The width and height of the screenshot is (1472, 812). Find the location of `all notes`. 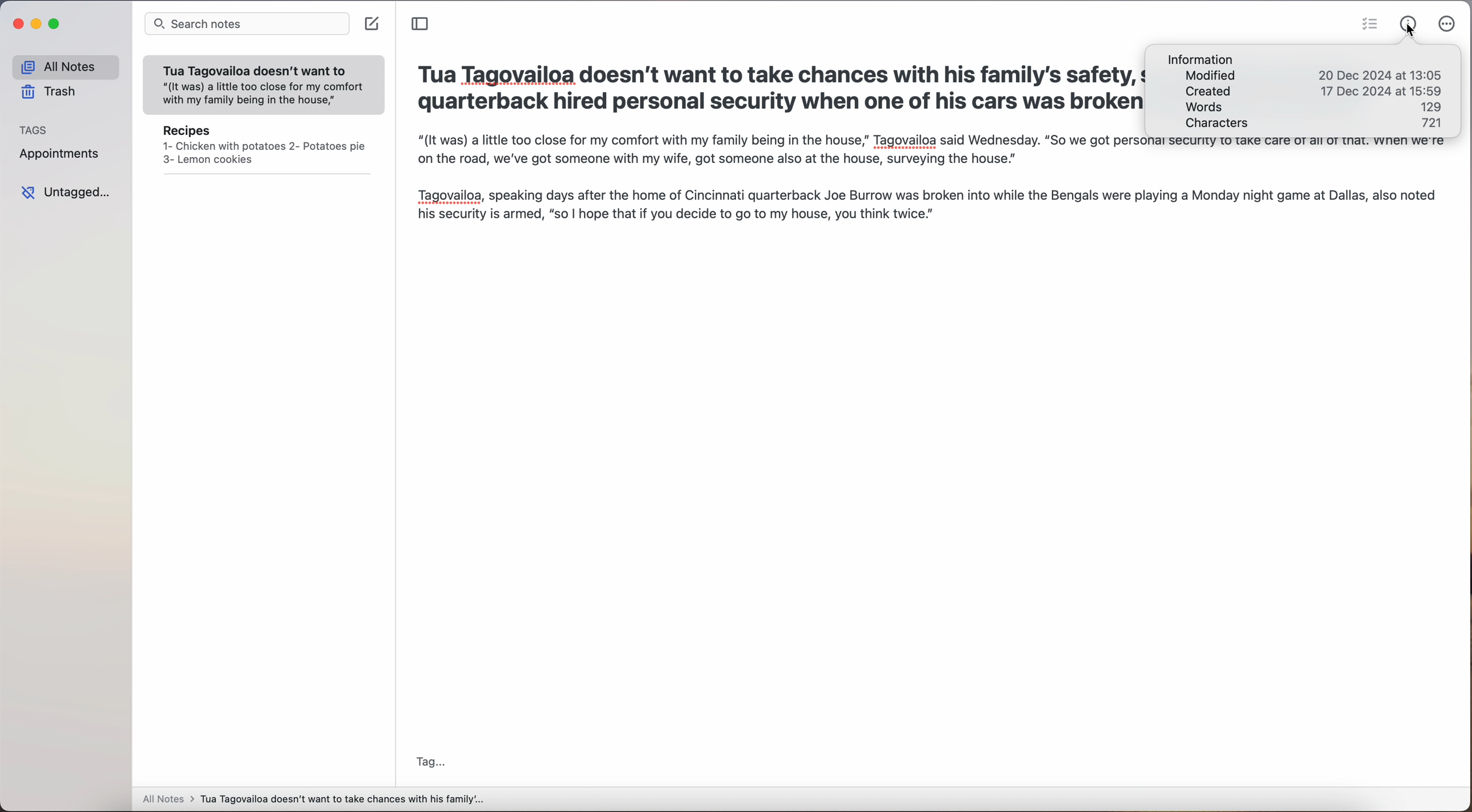

all notes is located at coordinates (62, 66).